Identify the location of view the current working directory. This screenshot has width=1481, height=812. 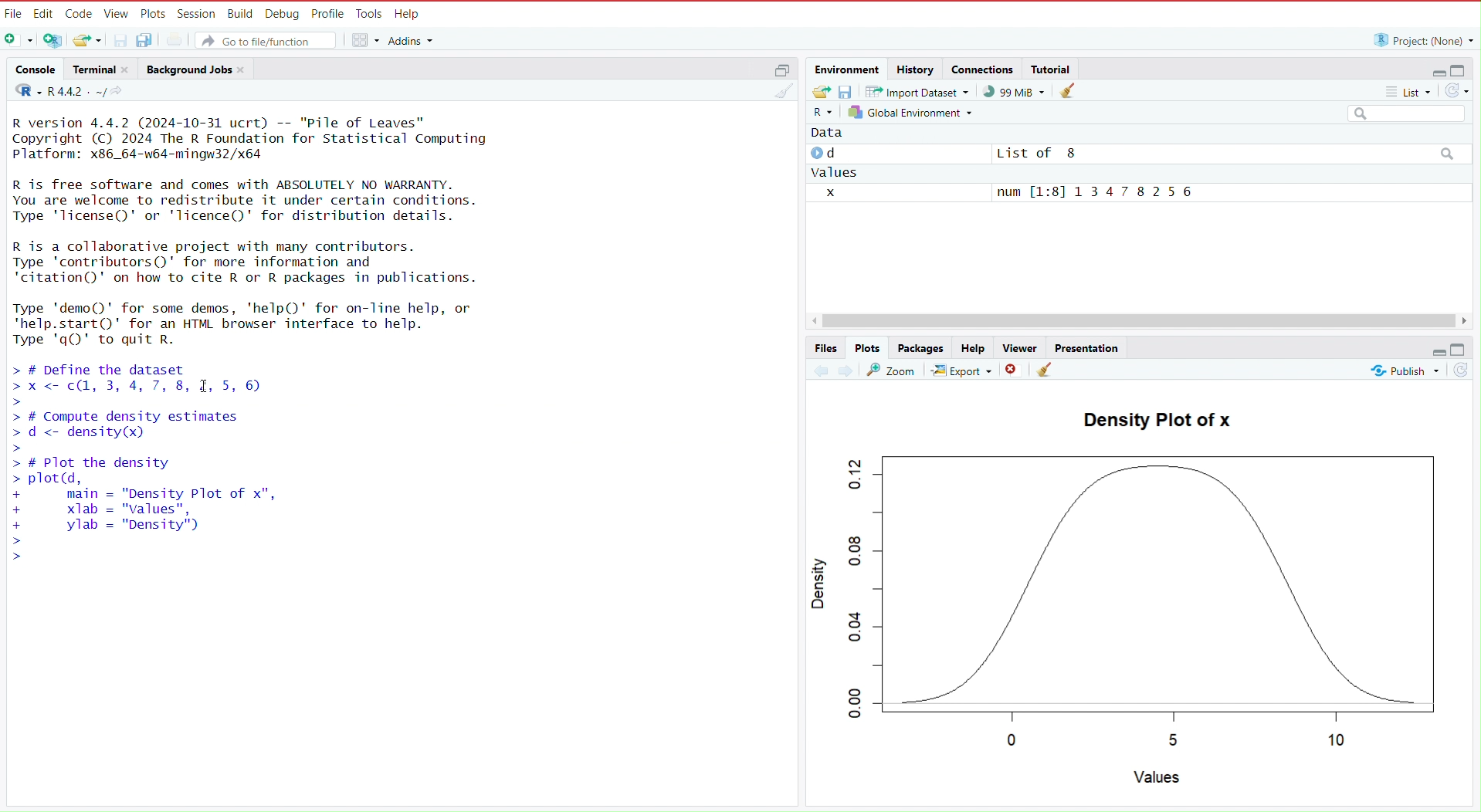
(121, 92).